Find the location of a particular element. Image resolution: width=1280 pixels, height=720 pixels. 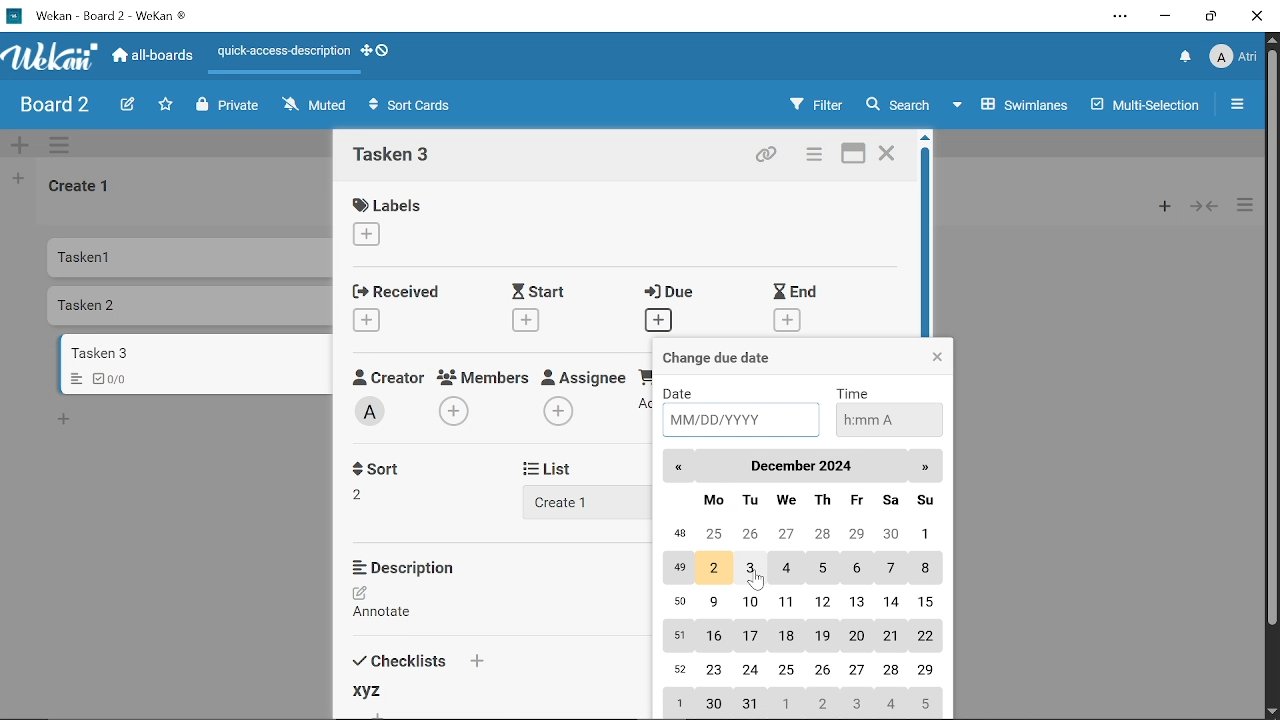

Card actions is located at coordinates (812, 156).